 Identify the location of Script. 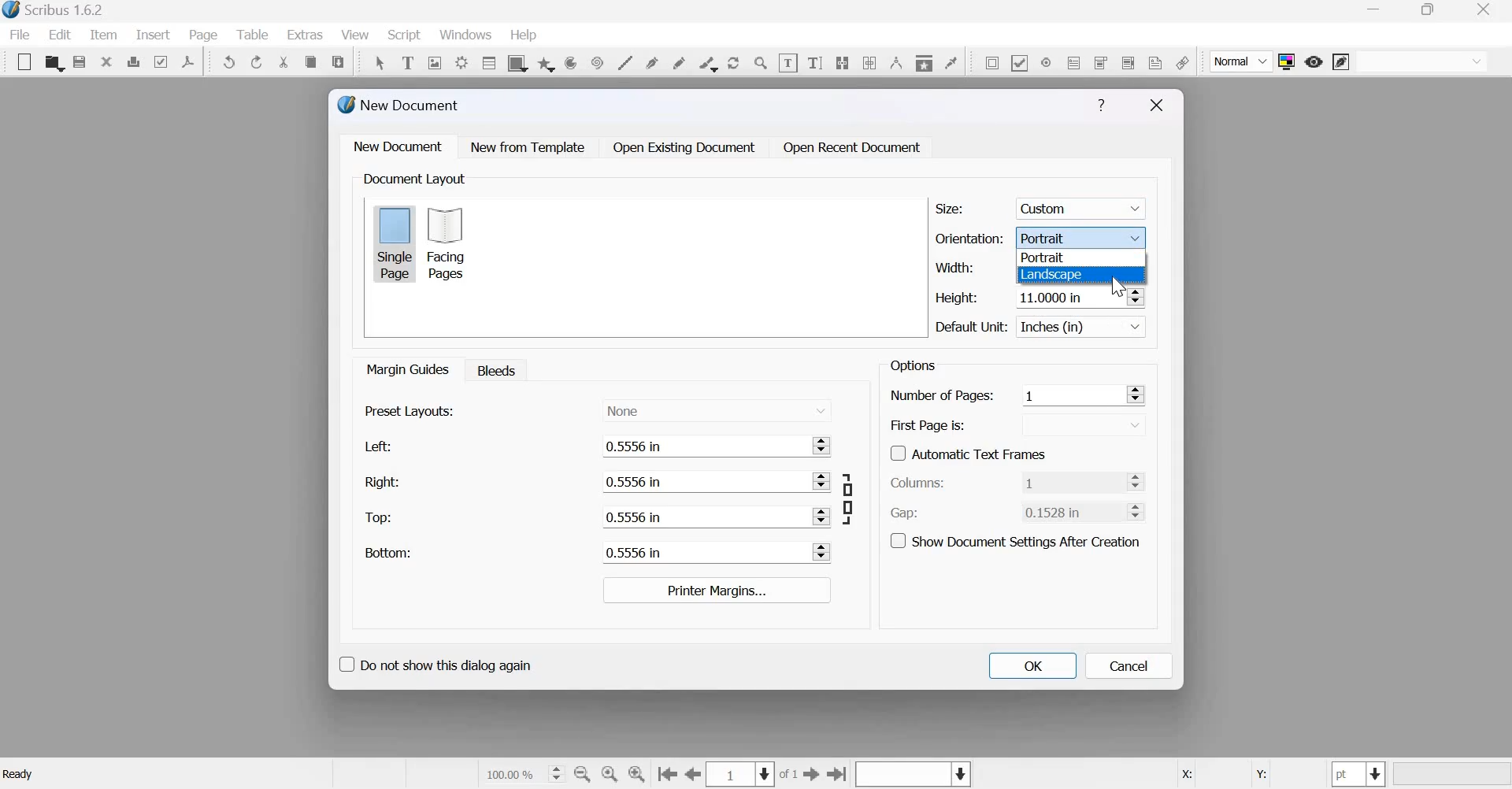
(403, 35).